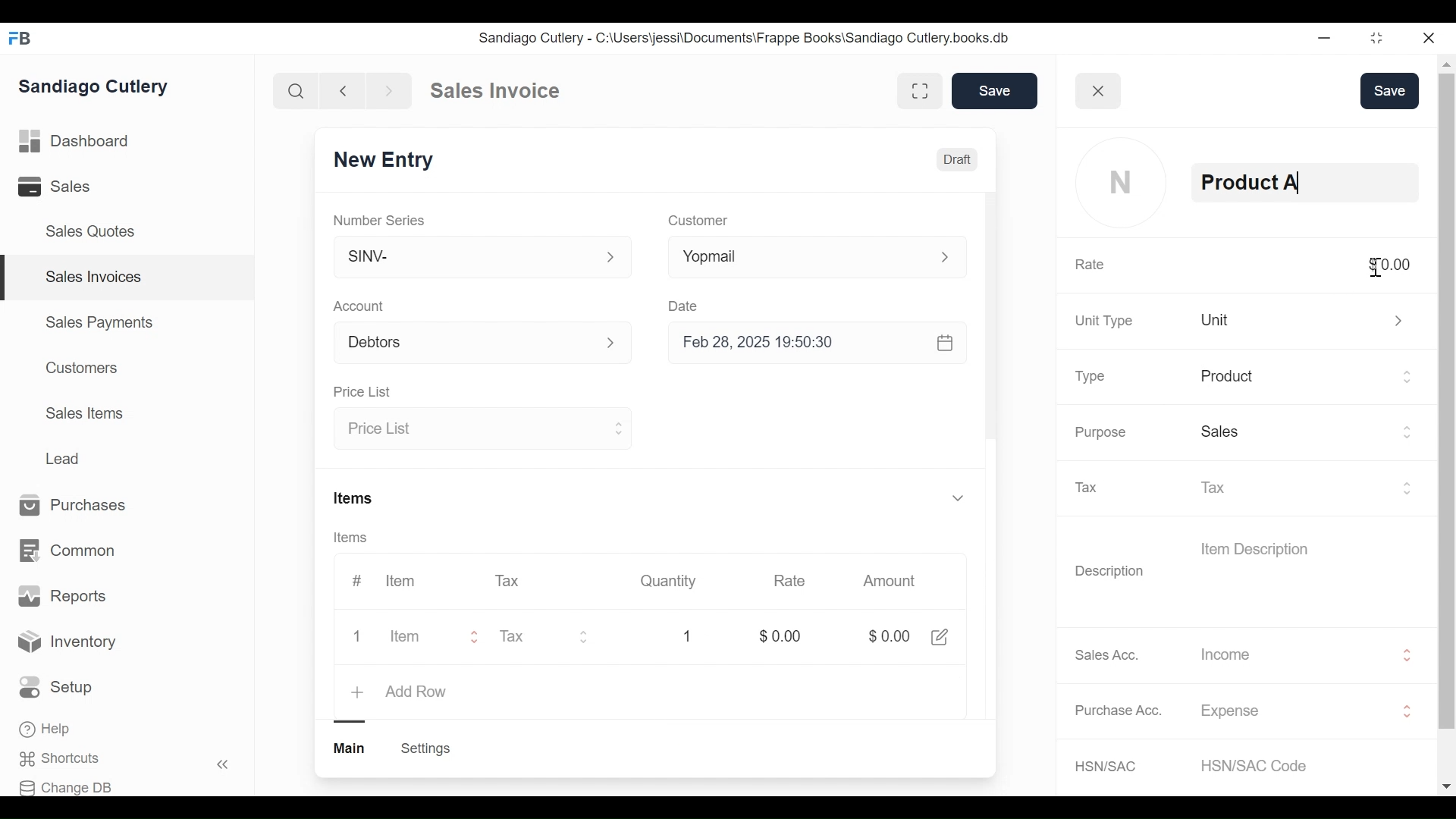 The height and width of the screenshot is (819, 1456). I want to click on Purchases, so click(80, 506).